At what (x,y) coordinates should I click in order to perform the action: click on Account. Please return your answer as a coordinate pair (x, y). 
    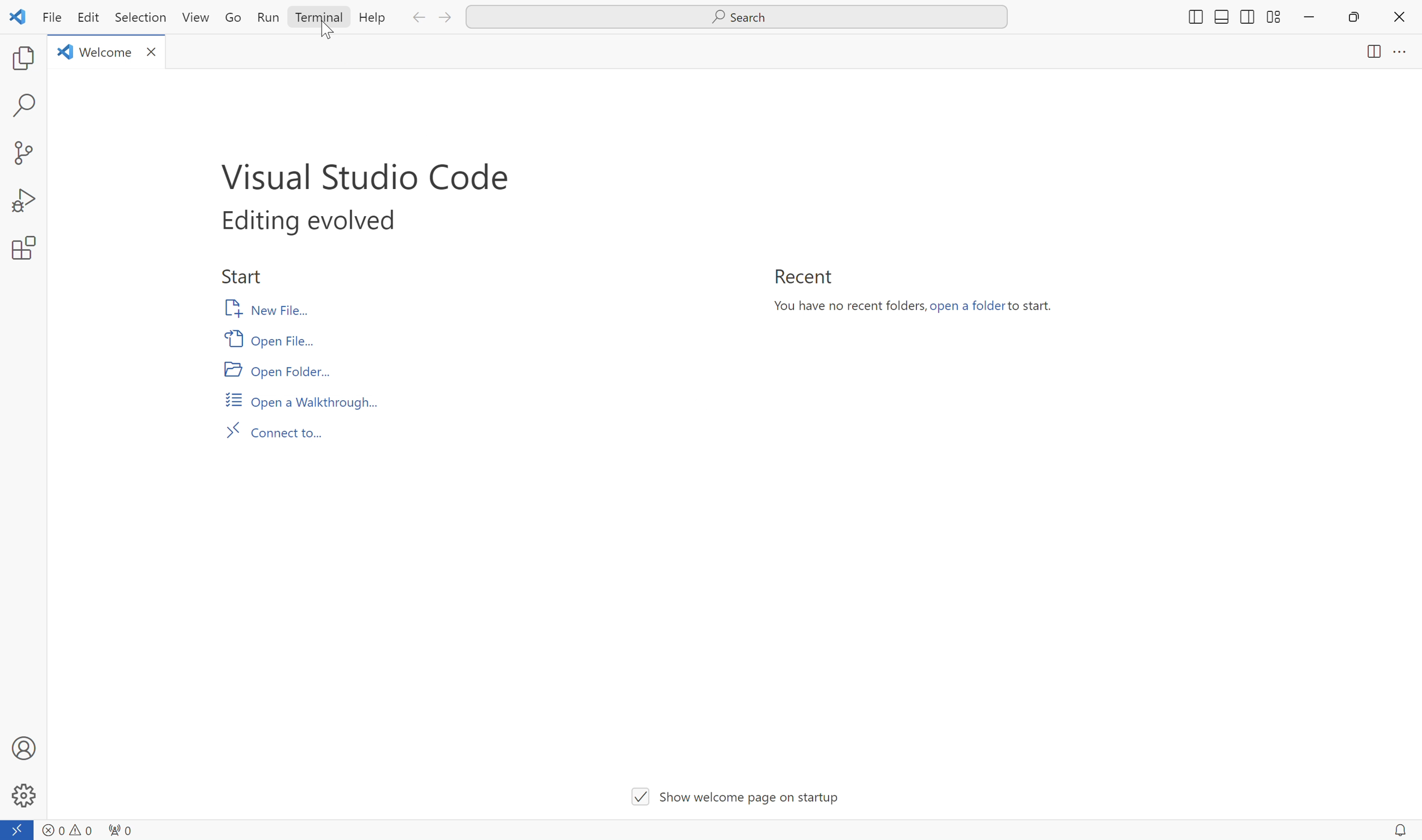
    Looking at the image, I should click on (23, 747).